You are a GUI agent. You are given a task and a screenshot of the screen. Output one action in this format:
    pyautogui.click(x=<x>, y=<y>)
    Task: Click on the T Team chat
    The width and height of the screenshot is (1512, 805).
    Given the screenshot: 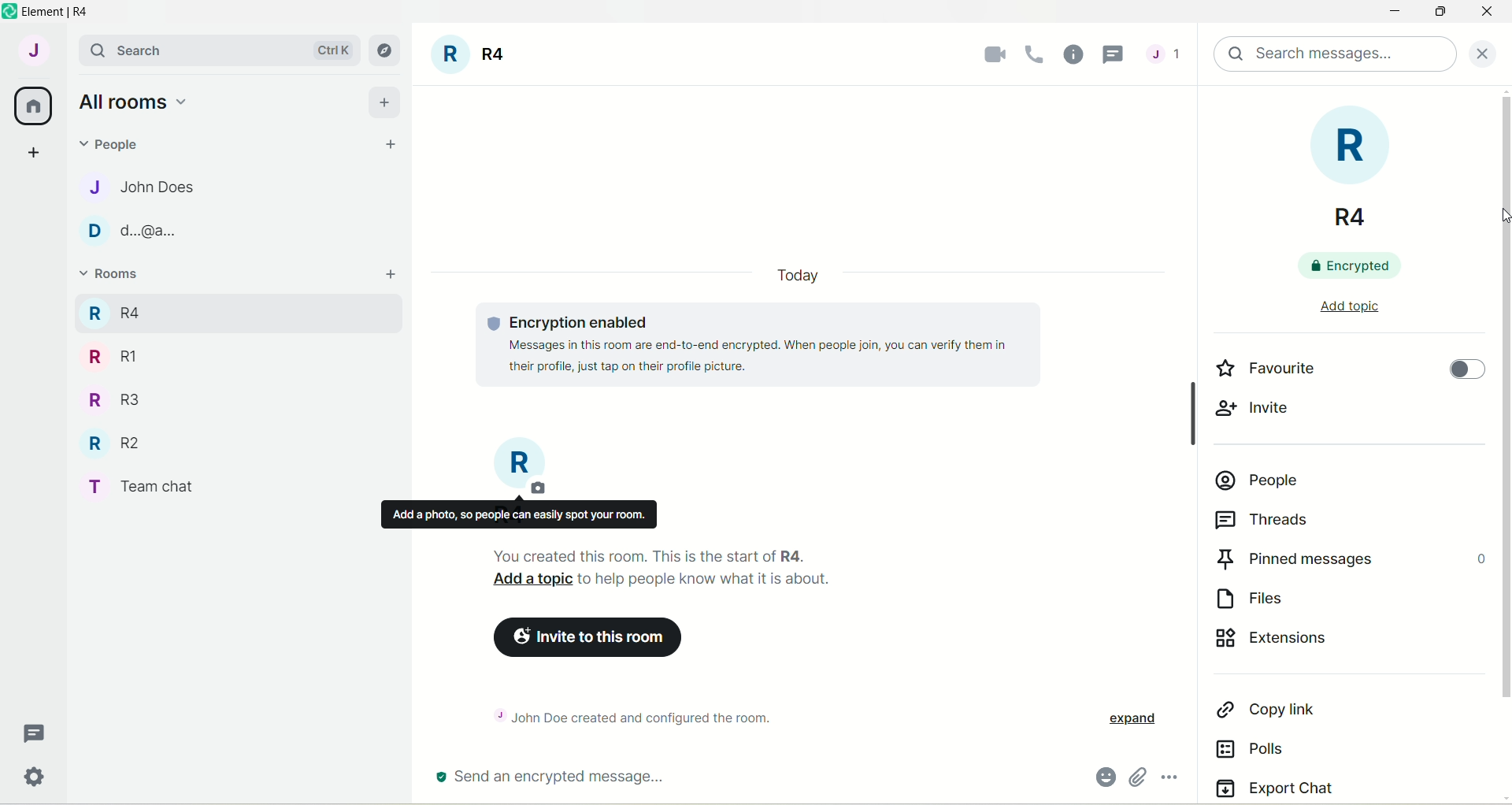 What is the action you would take?
    pyautogui.click(x=150, y=484)
    